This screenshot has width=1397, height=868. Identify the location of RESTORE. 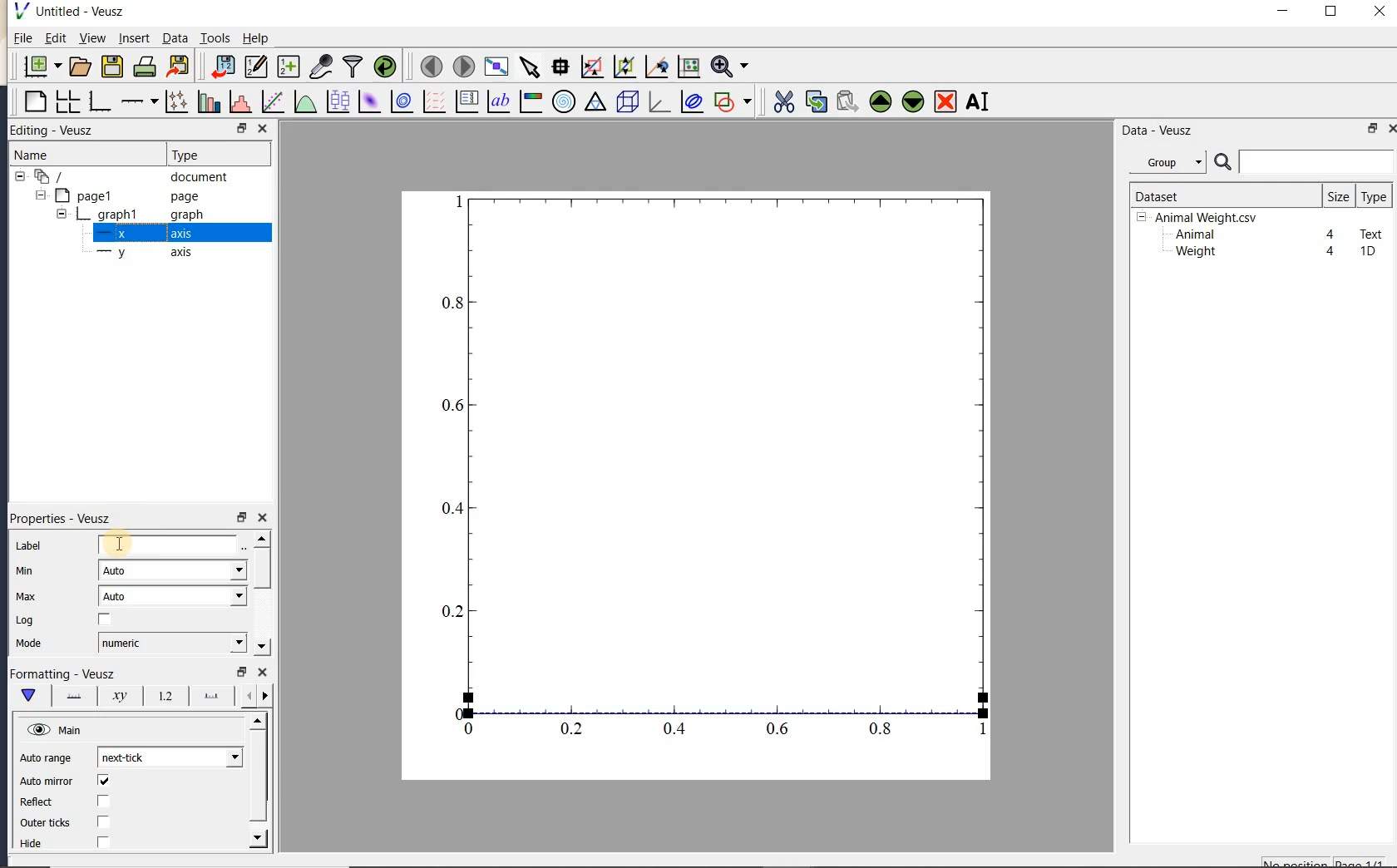
(239, 126).